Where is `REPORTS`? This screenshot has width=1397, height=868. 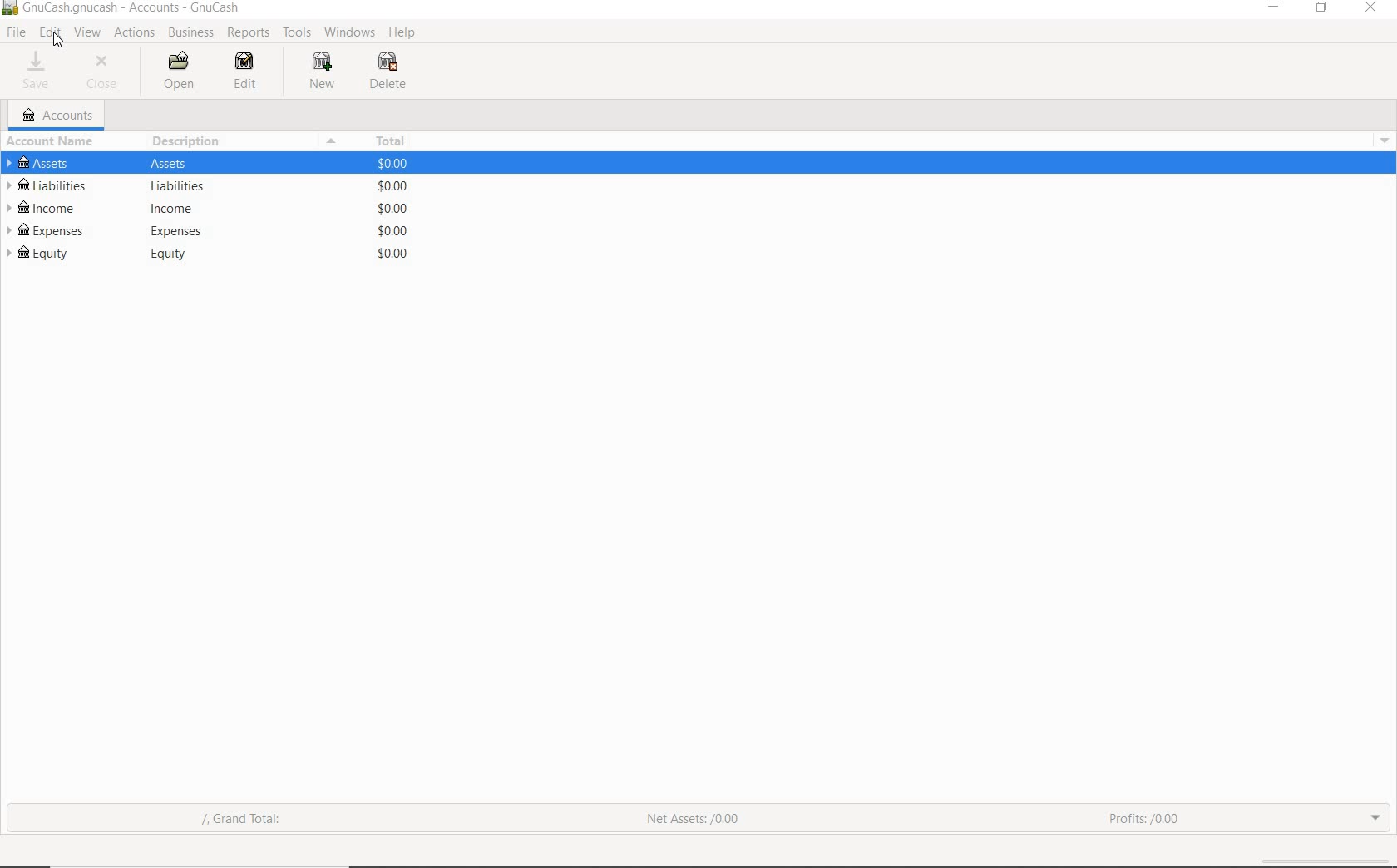
REPORTS is located at coordinates (249, 33).